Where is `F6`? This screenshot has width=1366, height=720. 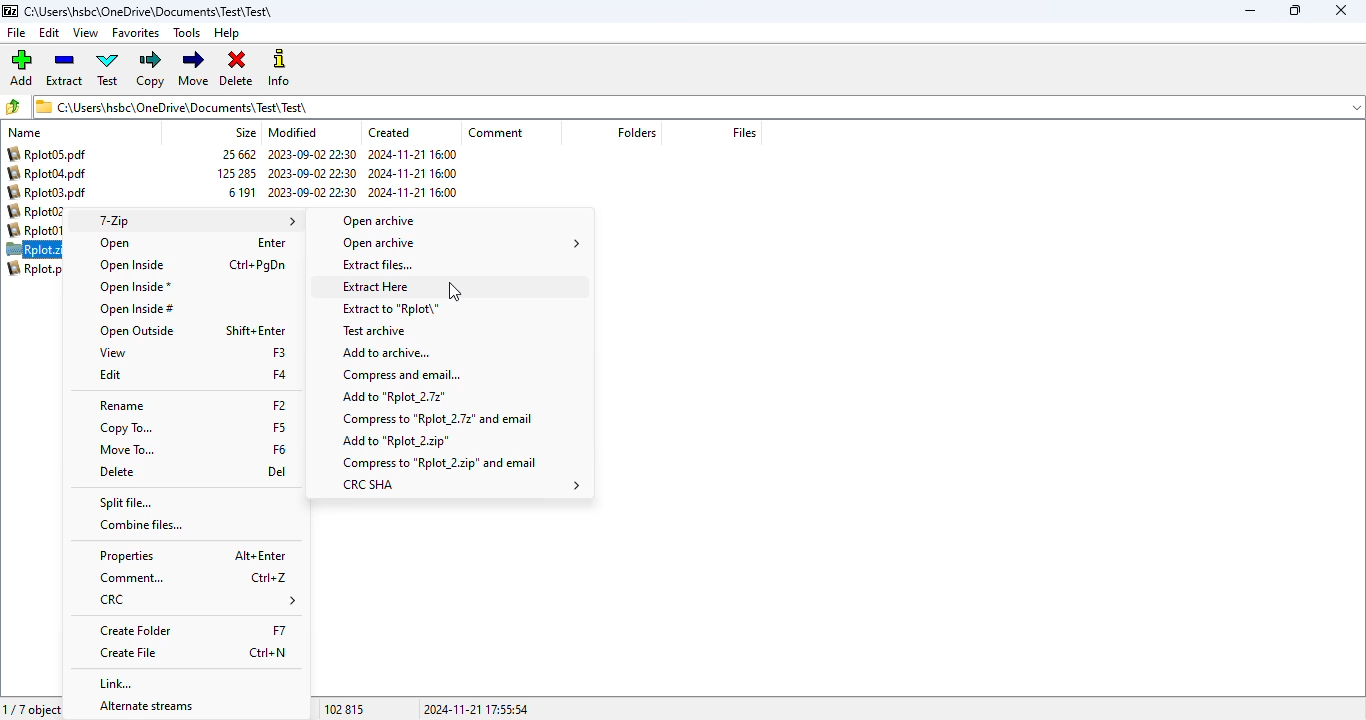
F6 is located at coordinates (280, 449).